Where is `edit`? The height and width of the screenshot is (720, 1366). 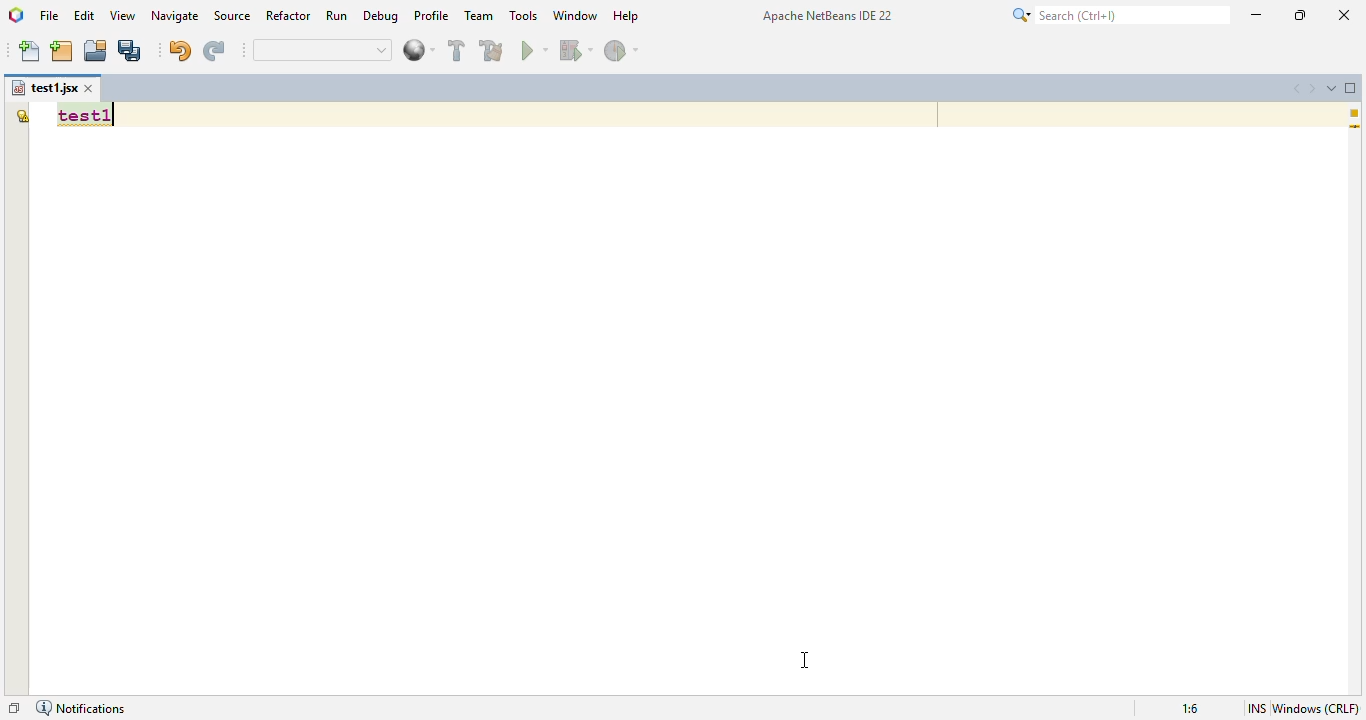
edit is located at coordinates (85, 15).